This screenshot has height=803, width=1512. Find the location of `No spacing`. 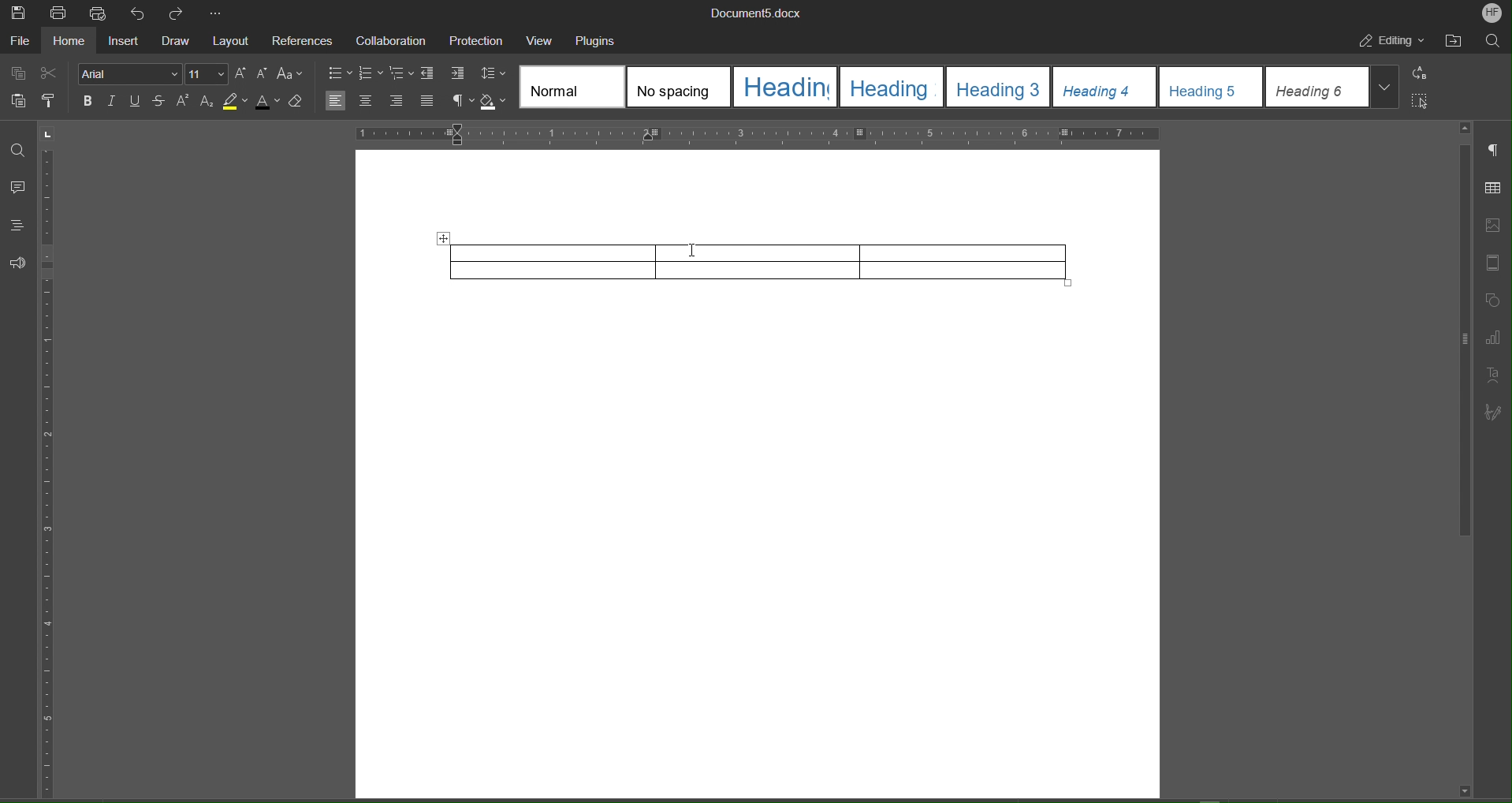

No spacing is located at coordinates (679, 87).